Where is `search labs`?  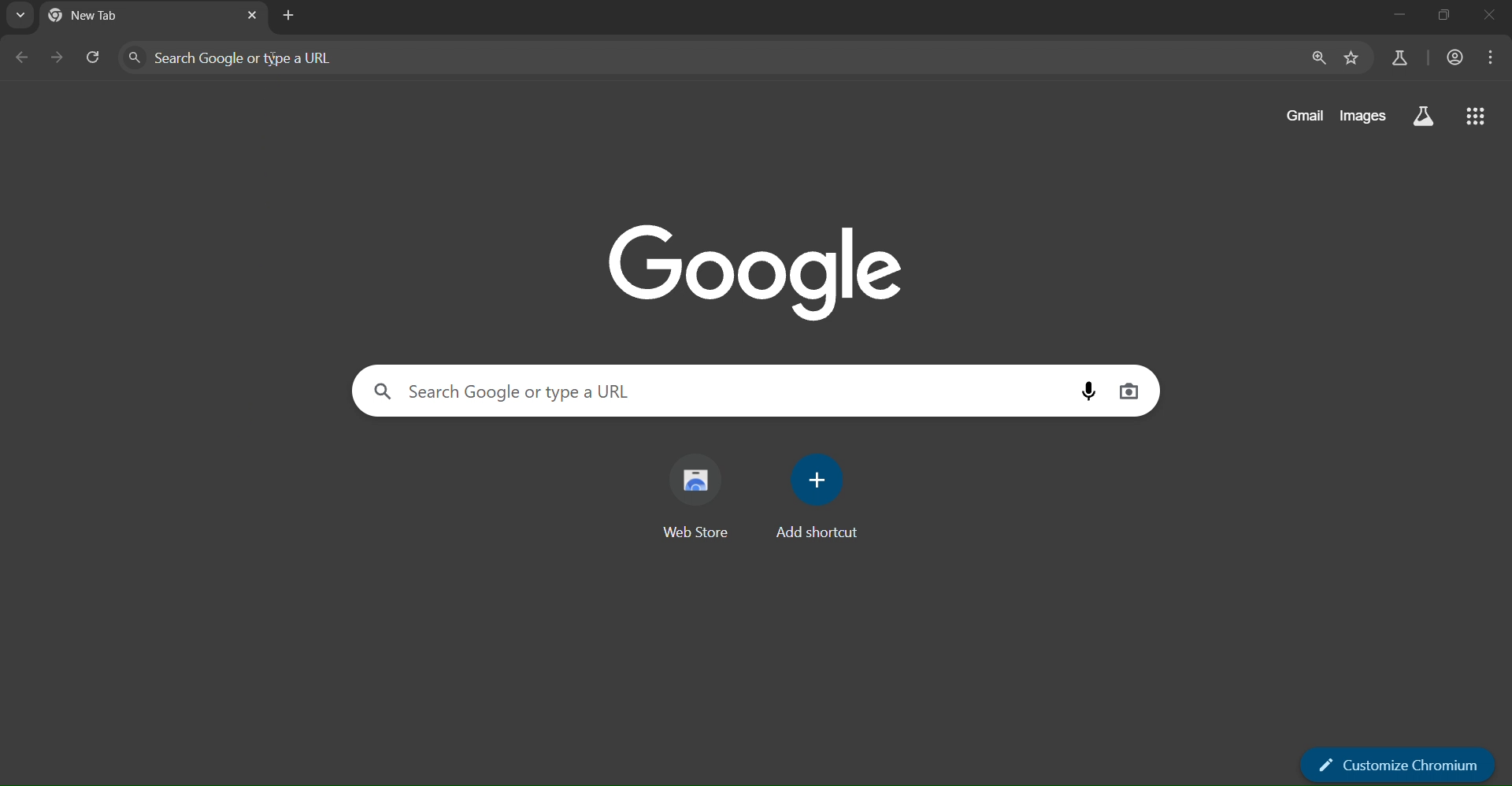 search labs is located at coordinates (1425, 117).